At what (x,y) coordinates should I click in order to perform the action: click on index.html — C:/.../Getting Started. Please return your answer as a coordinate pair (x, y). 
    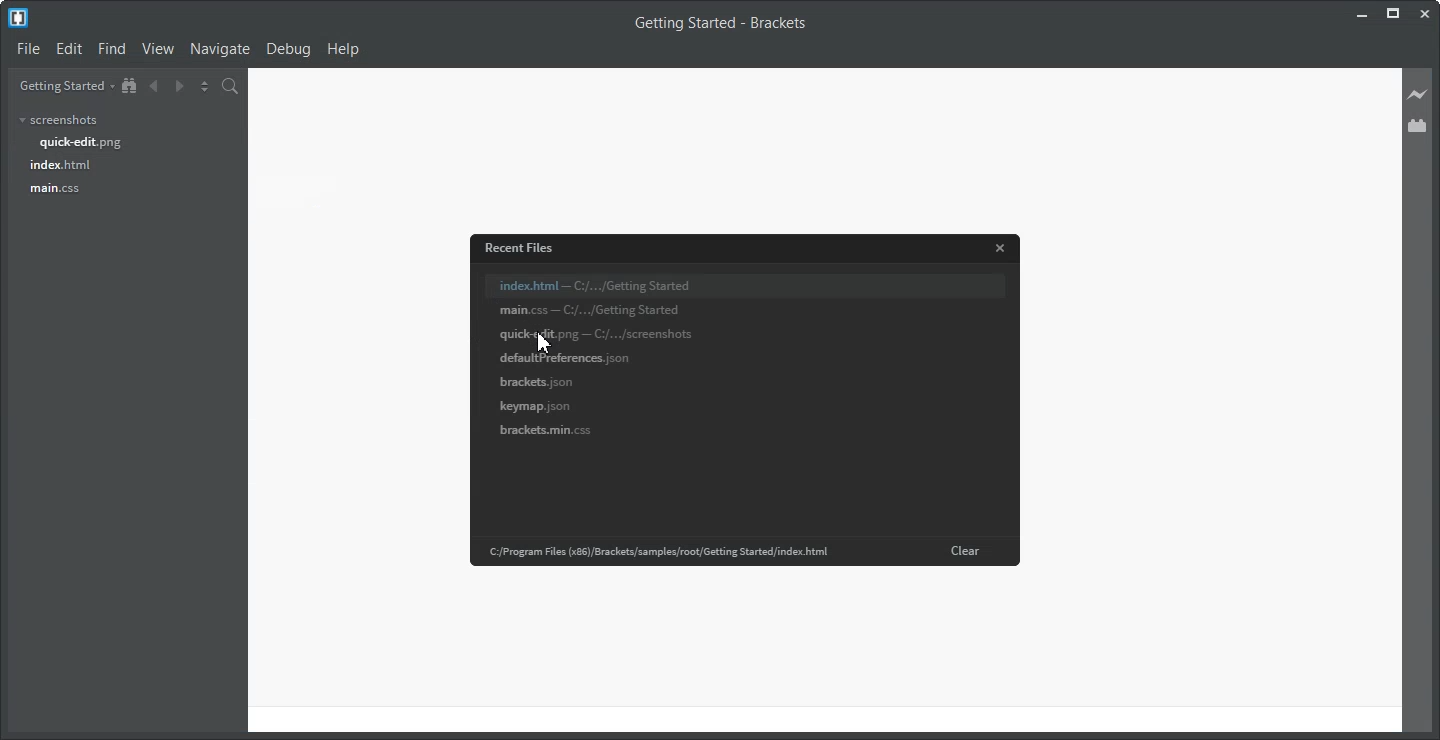
    Looking at the image, I should click on (603, 285).